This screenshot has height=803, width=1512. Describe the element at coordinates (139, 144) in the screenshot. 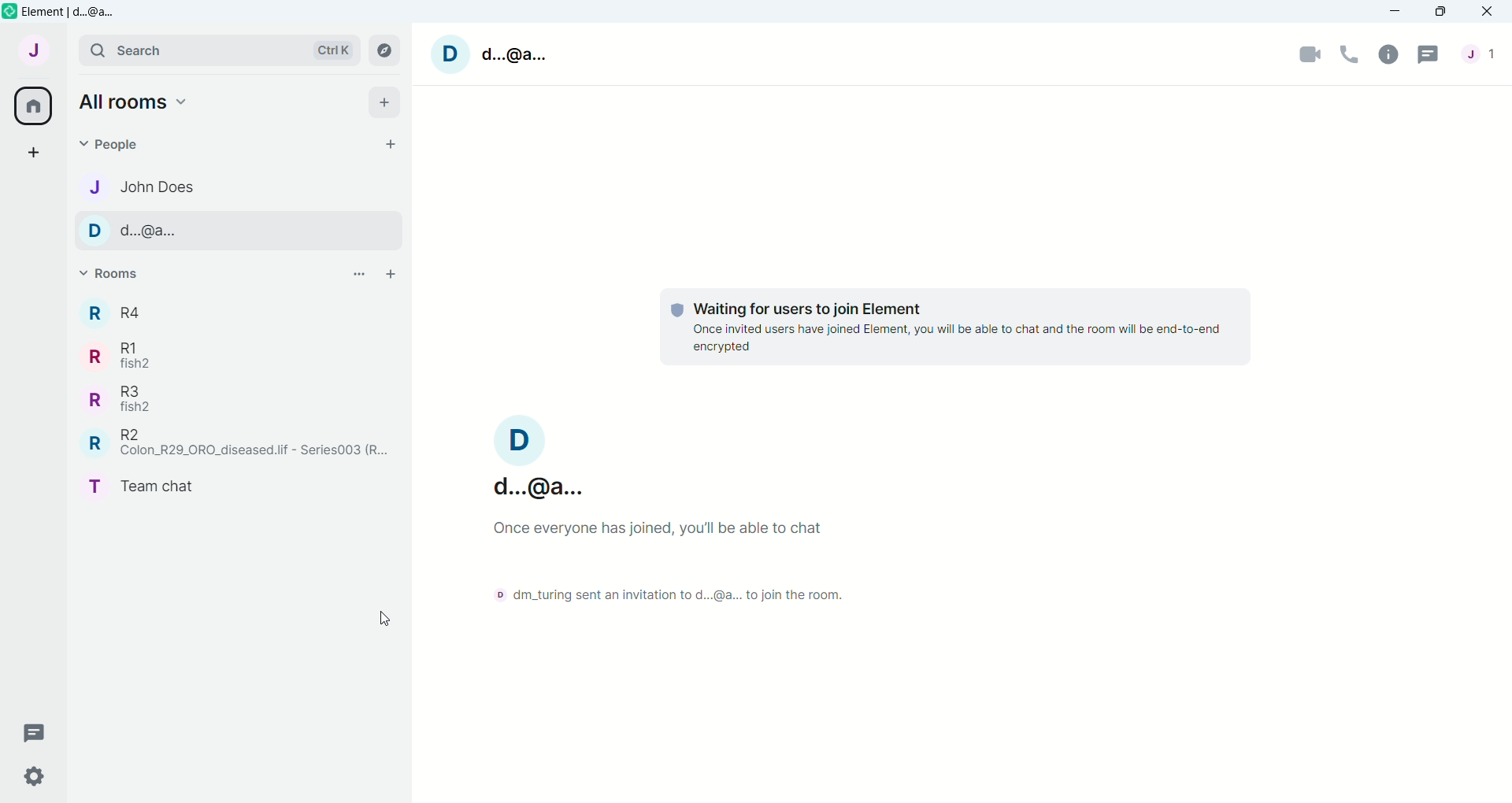

I see `People` at that location.